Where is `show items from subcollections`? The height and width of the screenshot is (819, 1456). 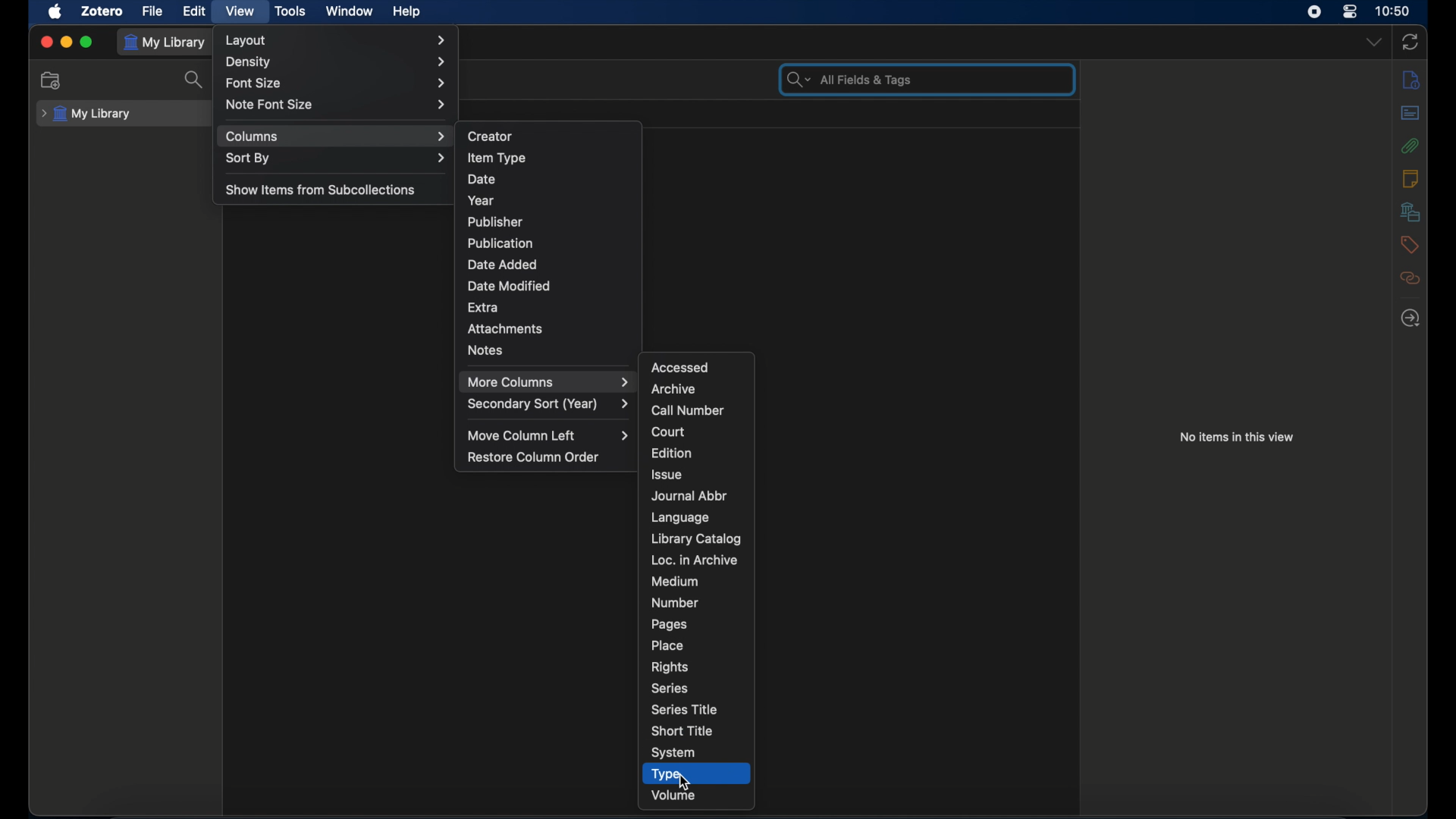 show items from subcollections is located at coordinates (322, 189).